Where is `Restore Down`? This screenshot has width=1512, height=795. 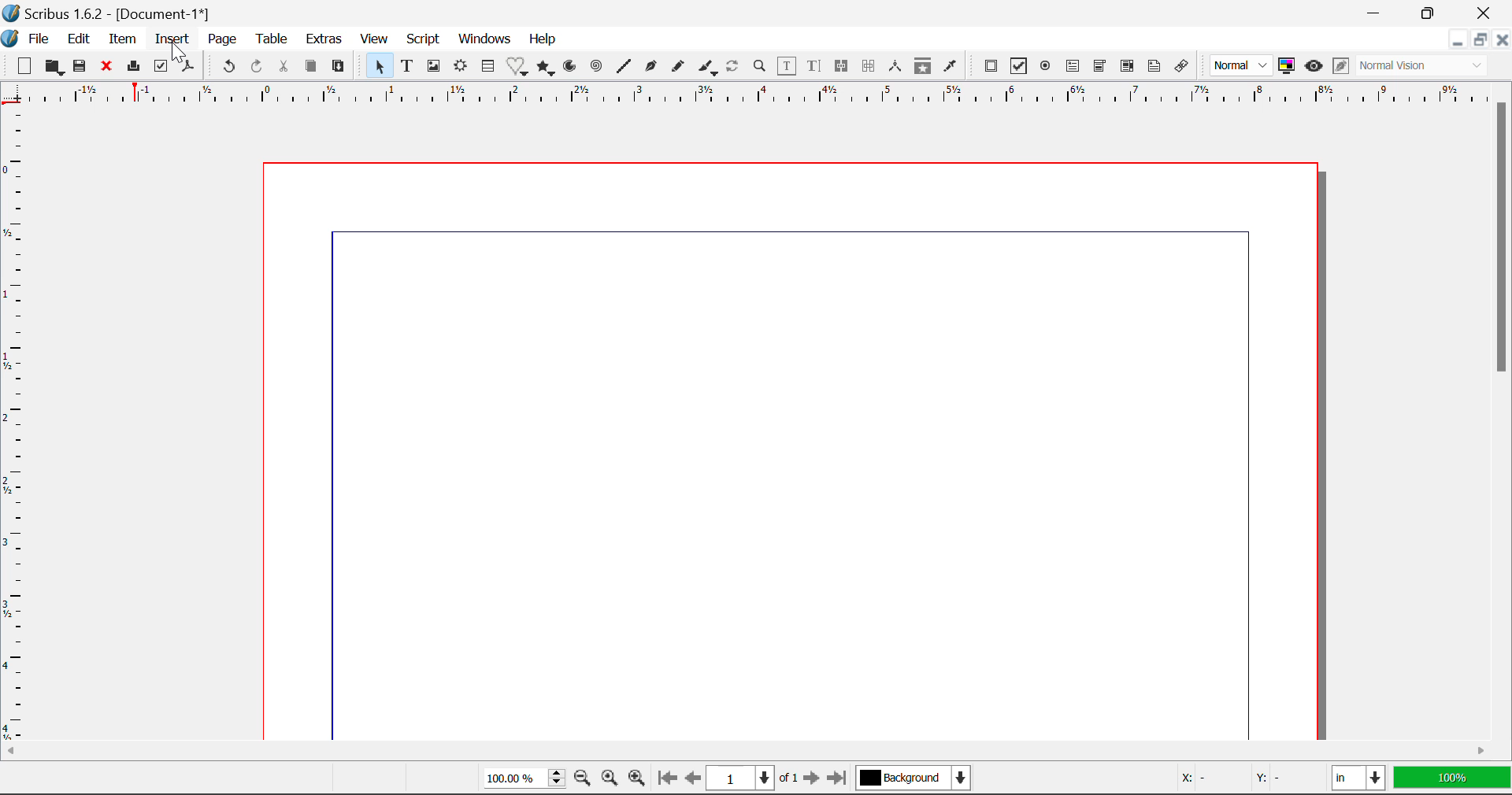
Restore Down is located at coordinates (1459, 42).